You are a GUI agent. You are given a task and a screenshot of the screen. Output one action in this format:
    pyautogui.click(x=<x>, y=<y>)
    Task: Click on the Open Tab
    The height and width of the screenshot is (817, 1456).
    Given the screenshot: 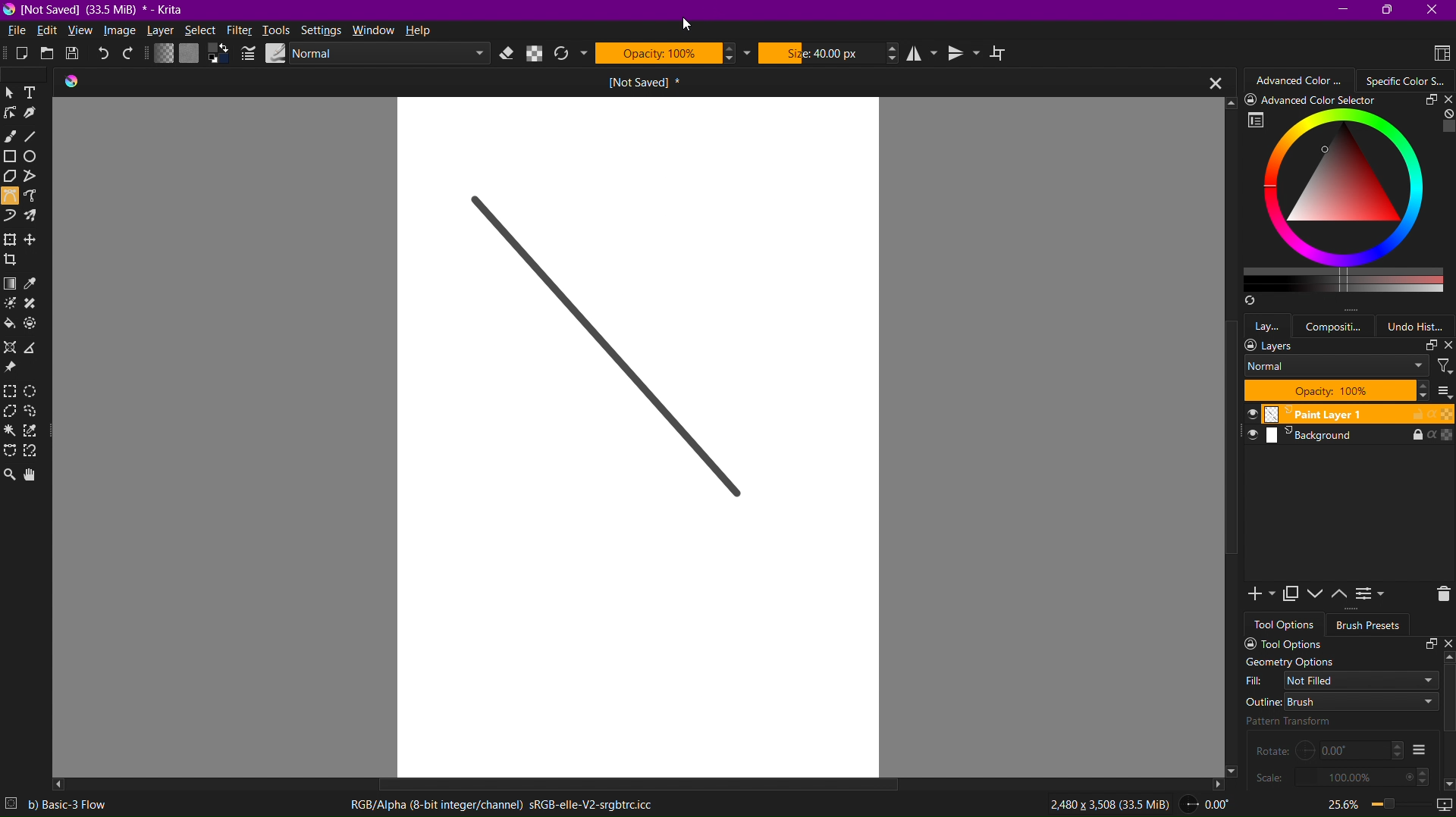 What is the action you would take?
    pyautogui.click(x=595, y=82)
    